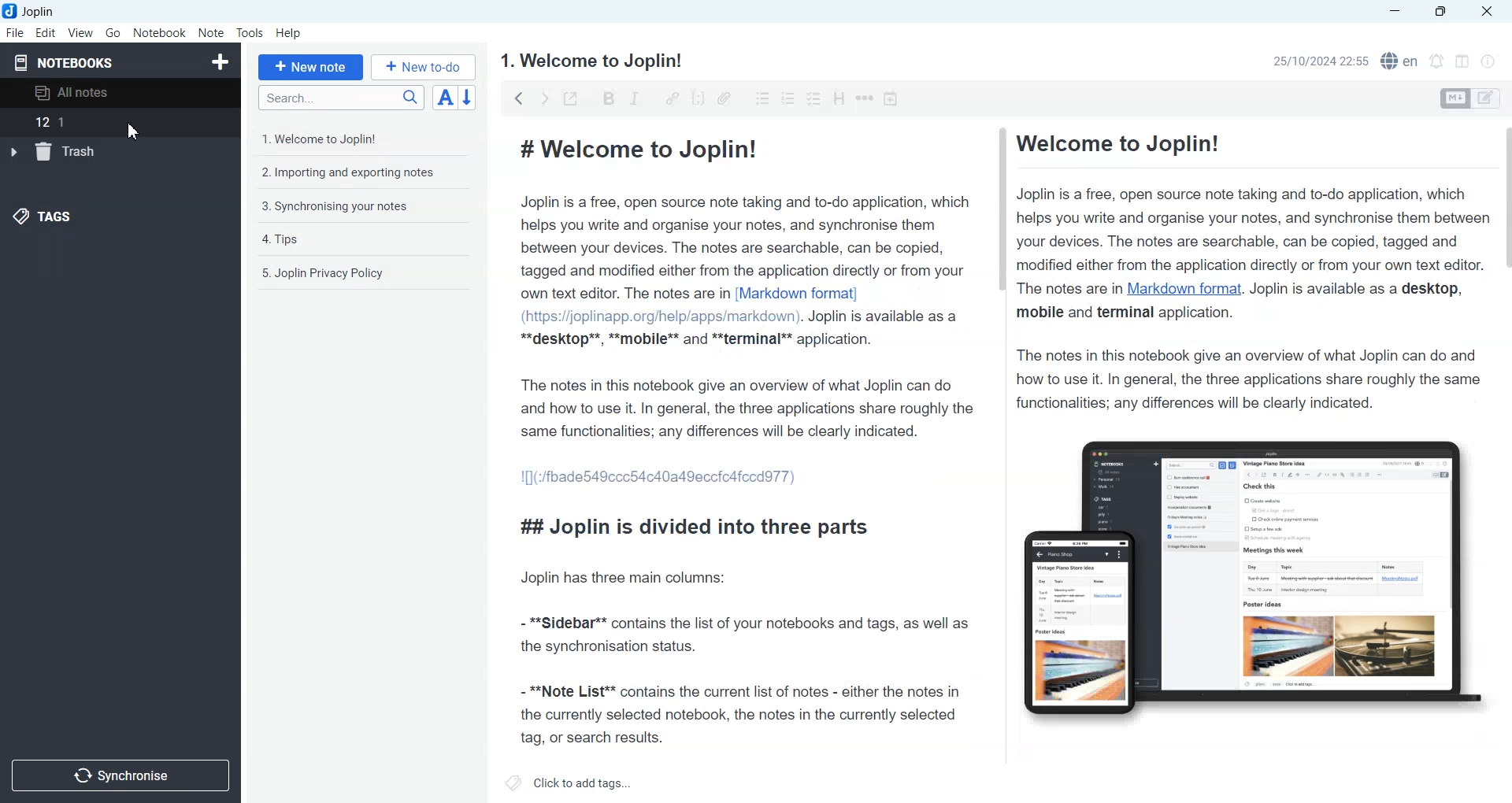  I want to click on Toggle external editing, so click(568, 99).